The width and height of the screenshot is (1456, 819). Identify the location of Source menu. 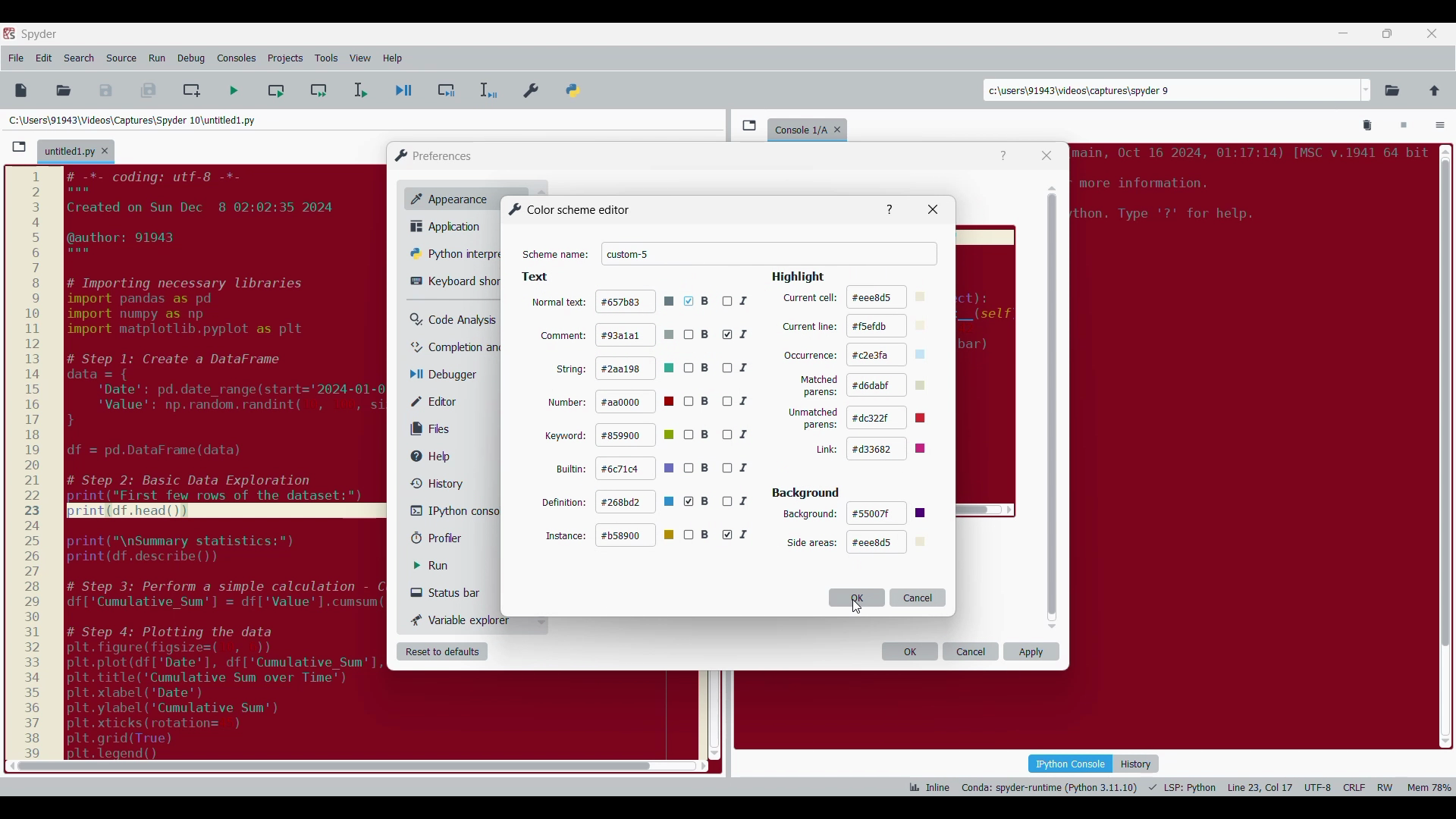
(121, 58).